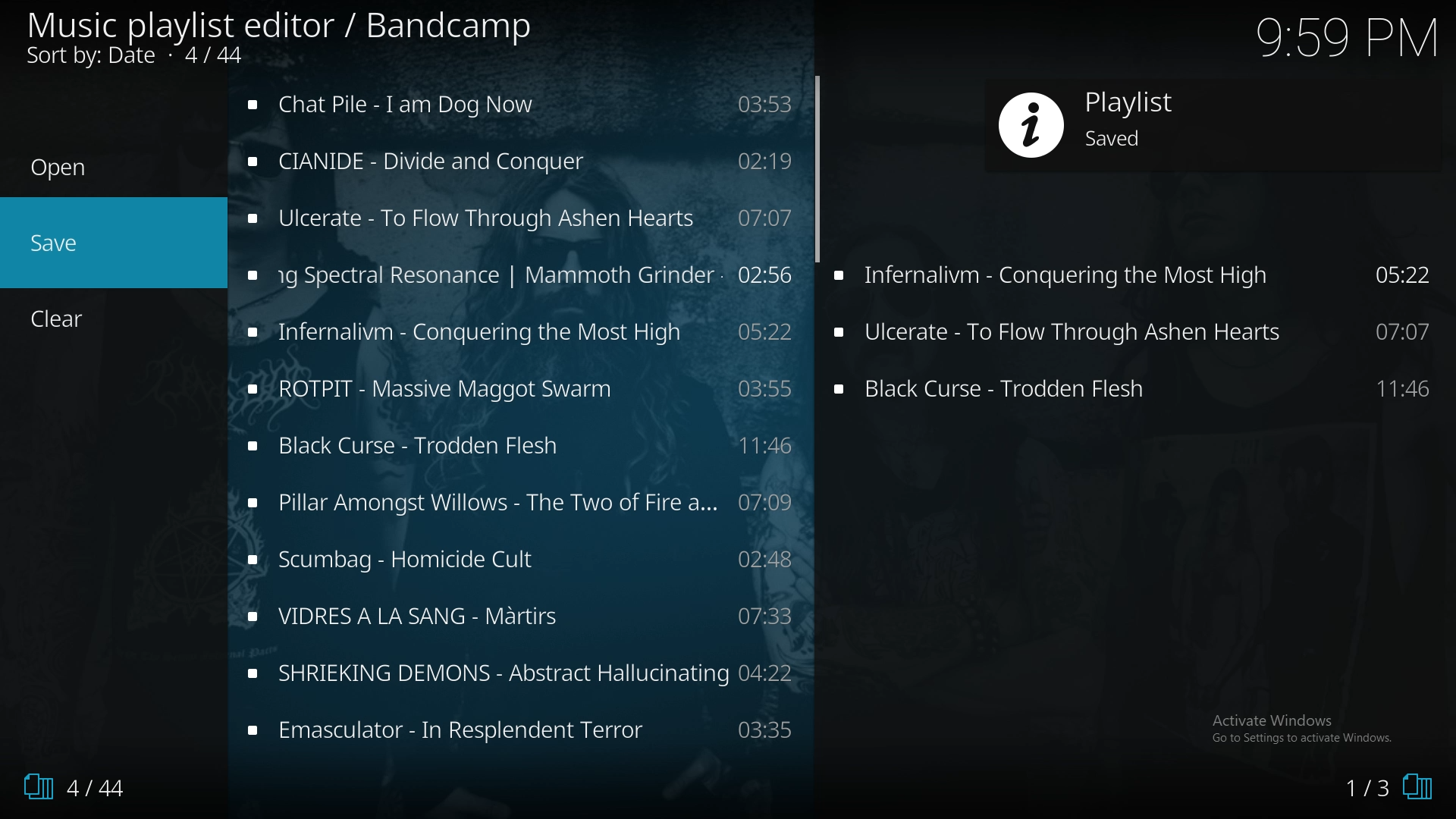  Describe the element at coordinates (817, 168) in the screenshot. I see `scroll bar` at that location.